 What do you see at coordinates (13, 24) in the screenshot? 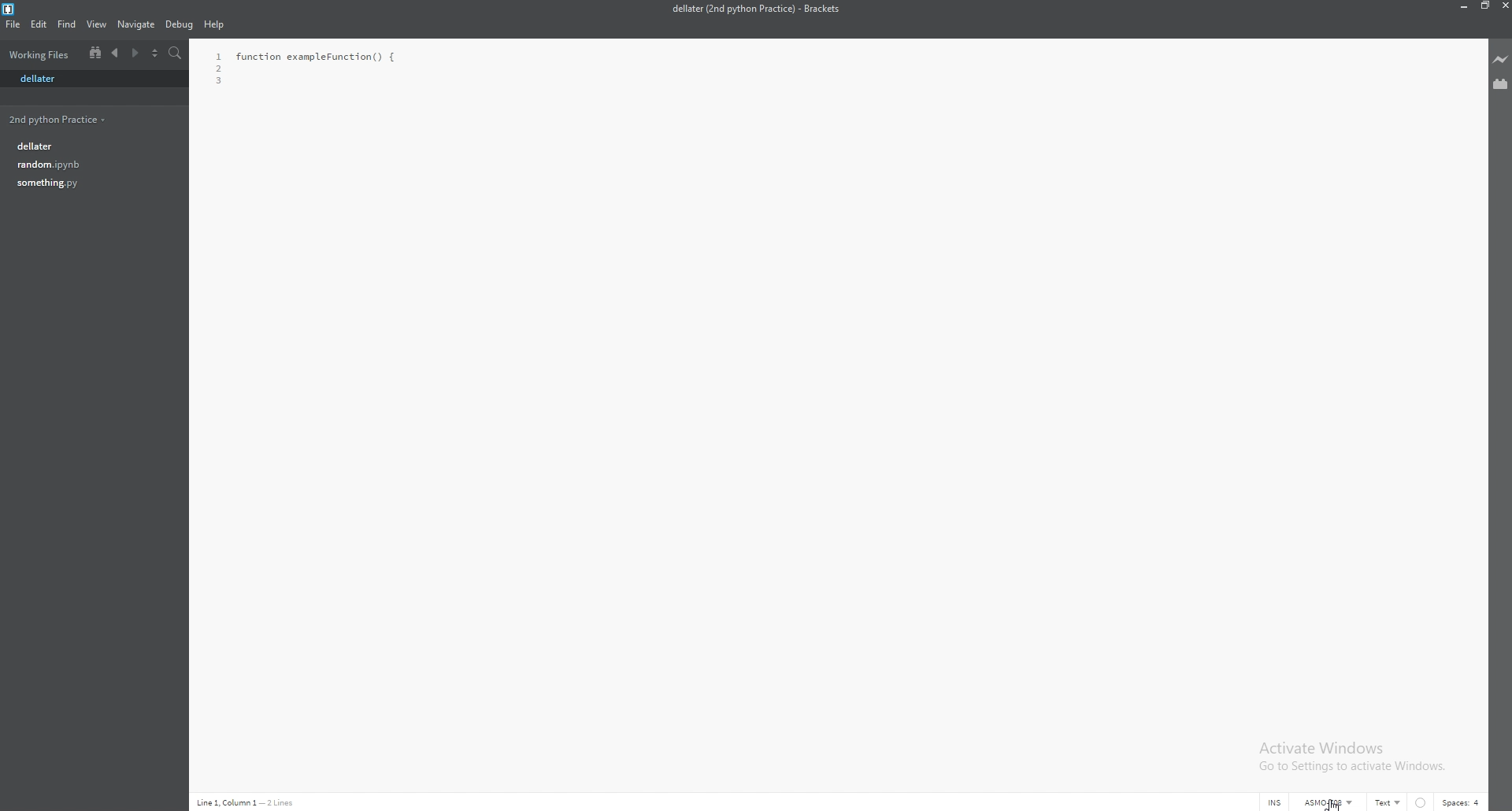
I see `file` at bounding box center [13, 24].